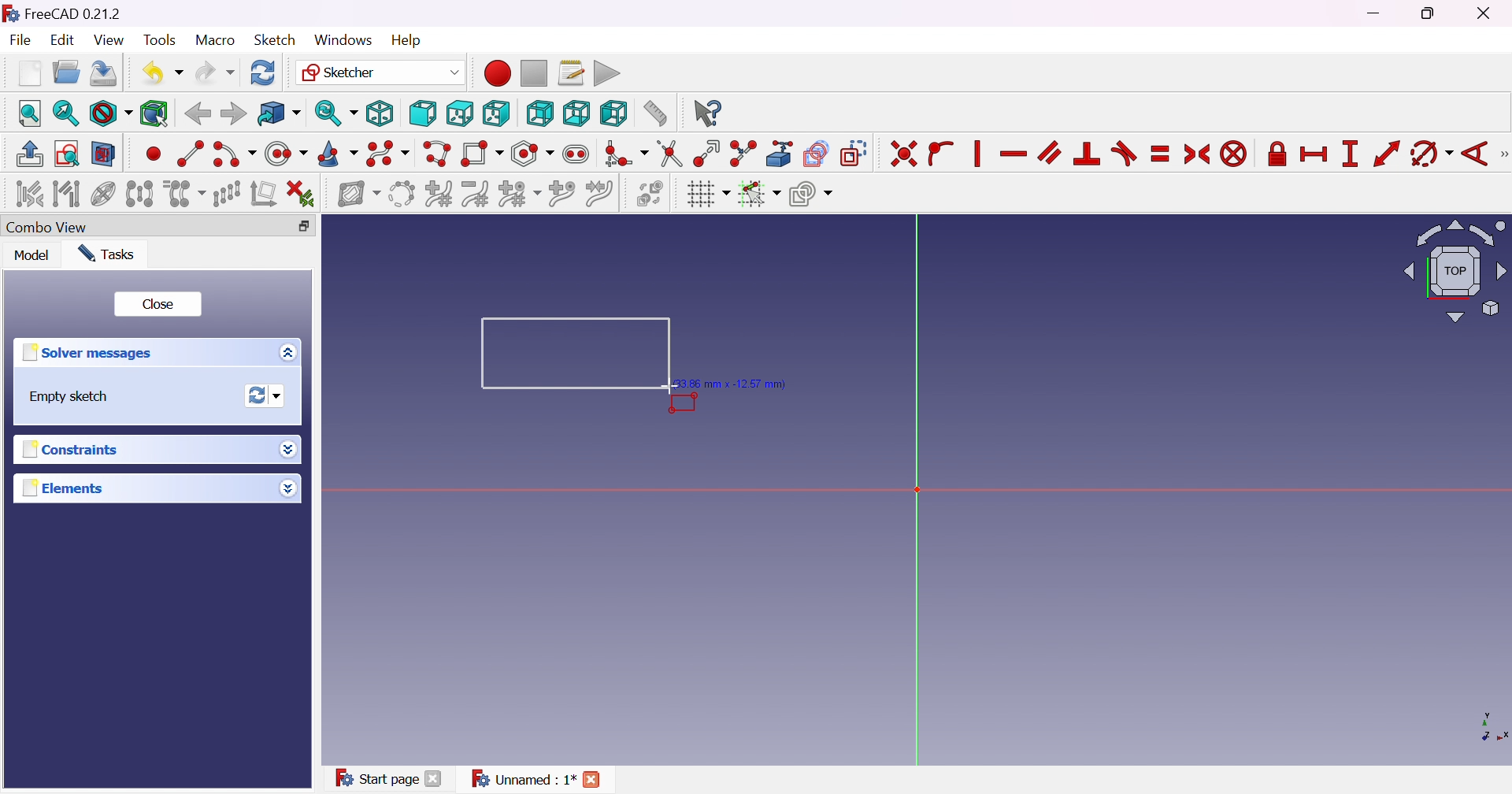 This screenshot has height=794, width=1512. What do you see at coordinates (359, 195) in the screenshot?
I see `Show/hide B-spline information layer` at bounding box center [359, 195].